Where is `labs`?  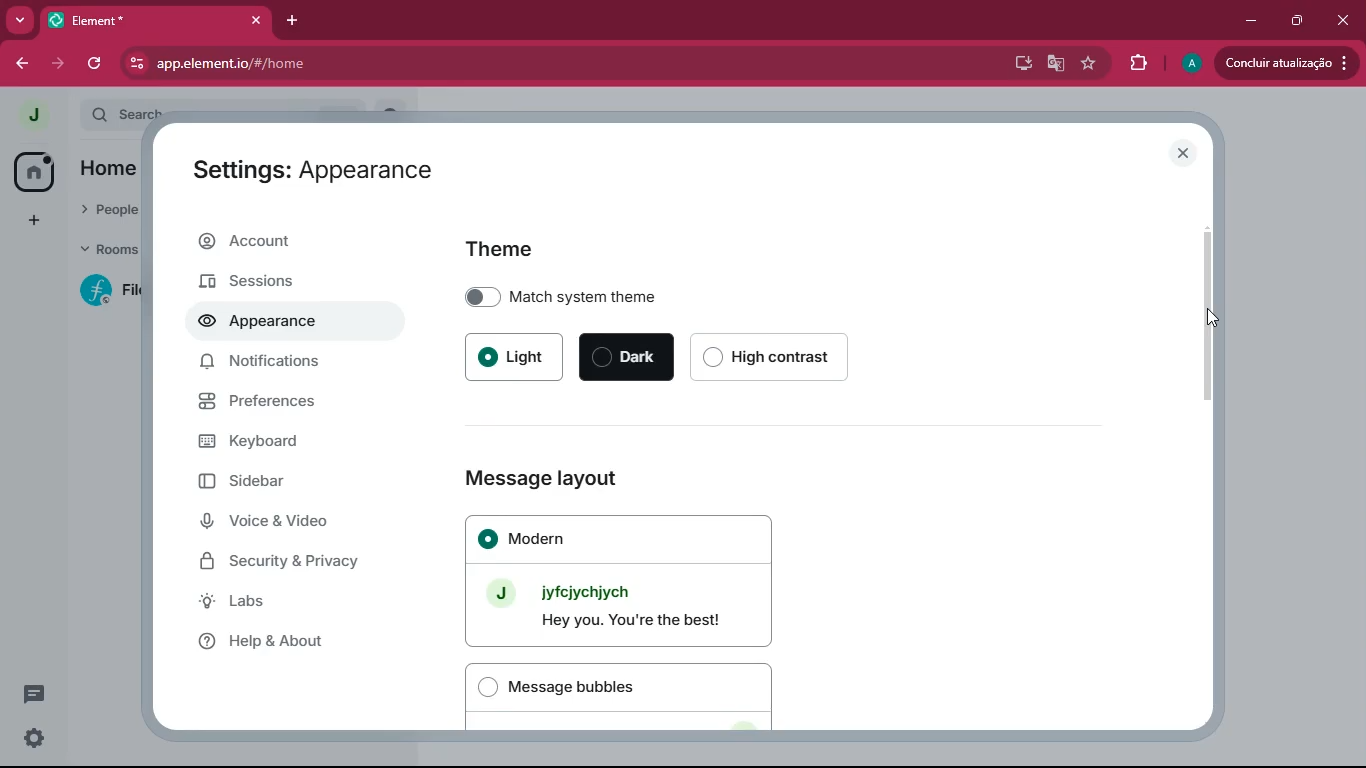 labs is located at coordinates (286, 603).